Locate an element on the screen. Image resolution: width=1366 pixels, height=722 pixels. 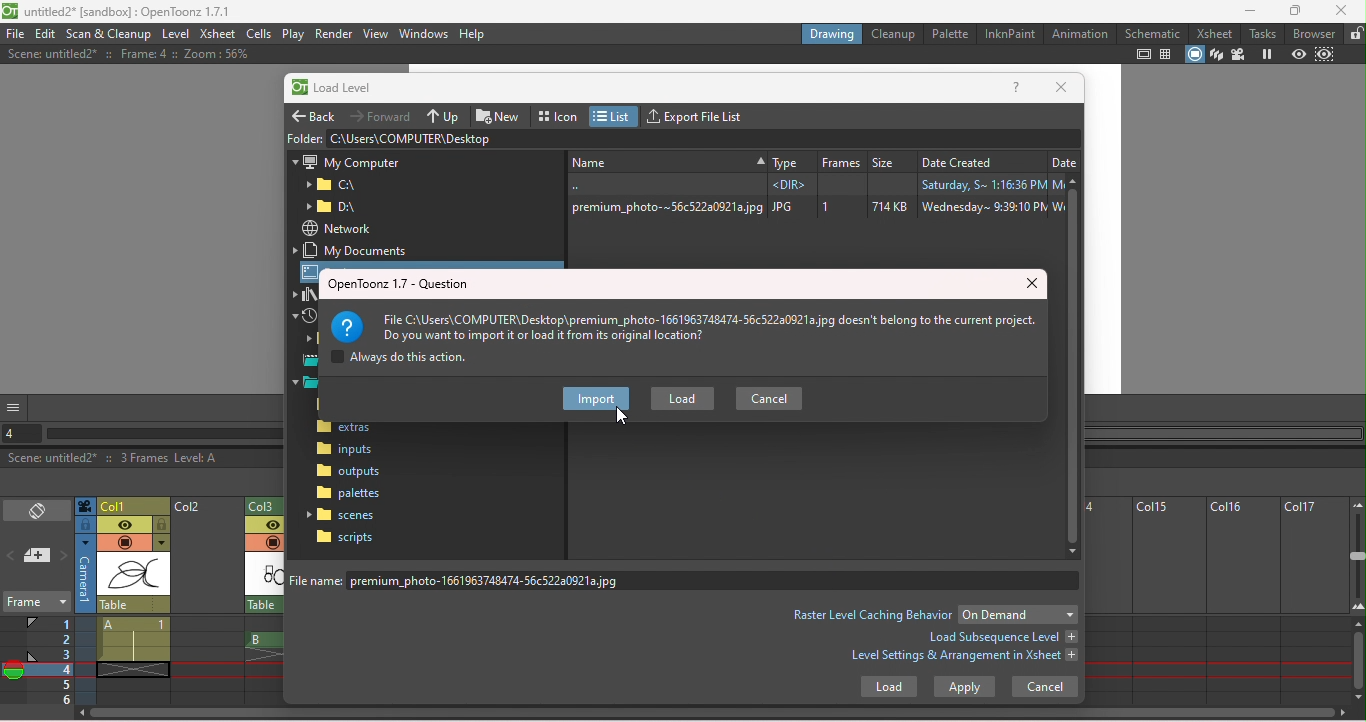
column 17 is located at coordinates (1314, 601).